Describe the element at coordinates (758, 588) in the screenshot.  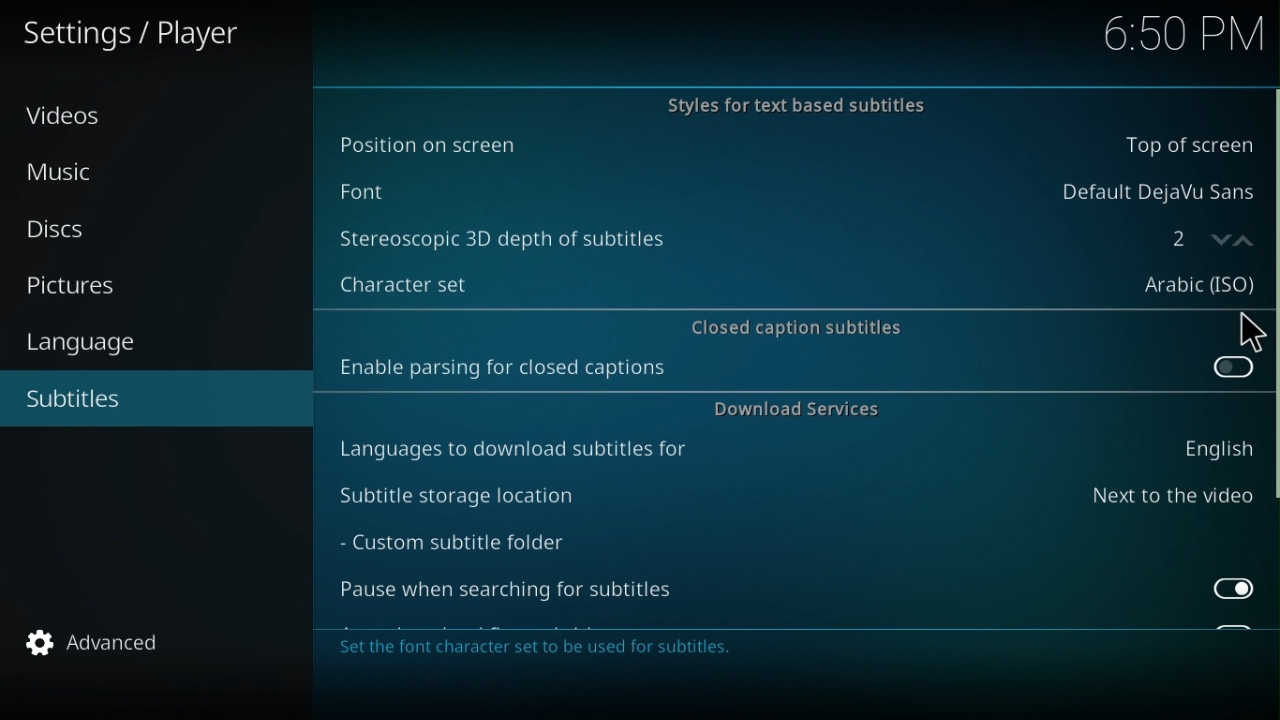
I see `Pause when searching for subtitles` at that location.